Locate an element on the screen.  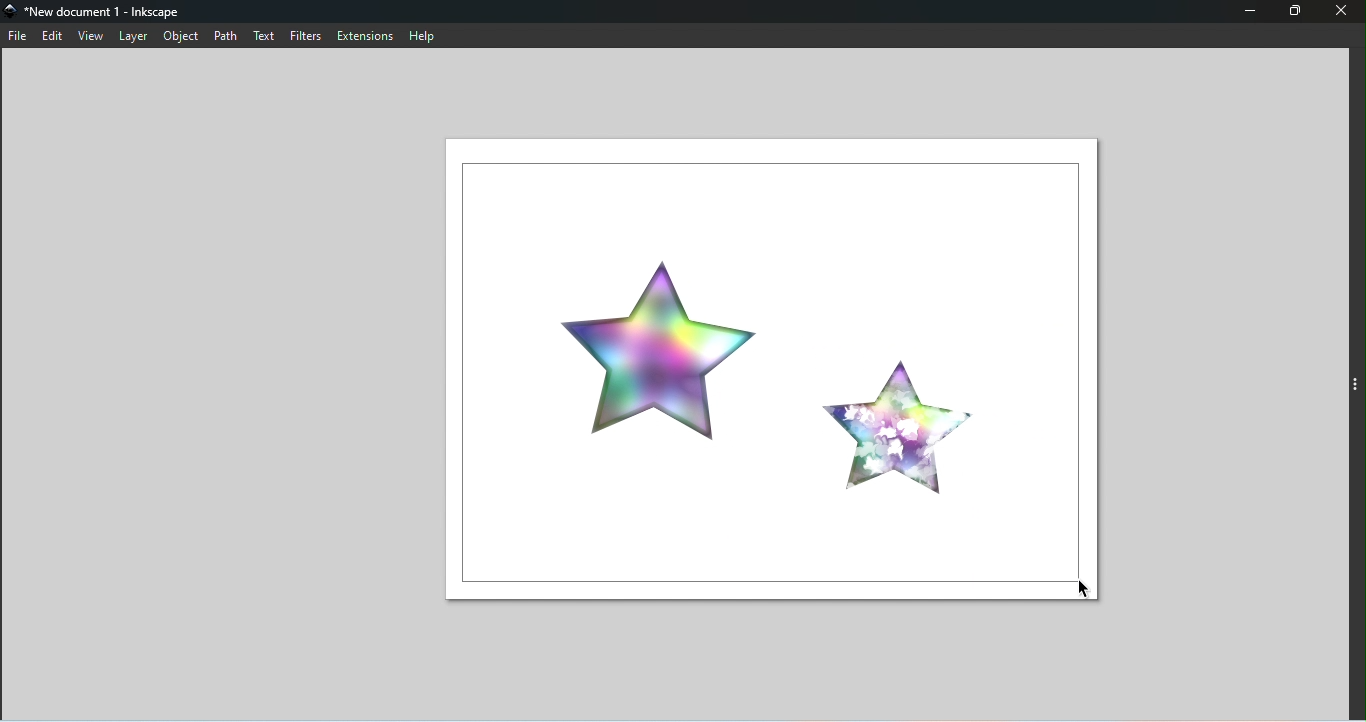
View is located at coordinates (91, 36).